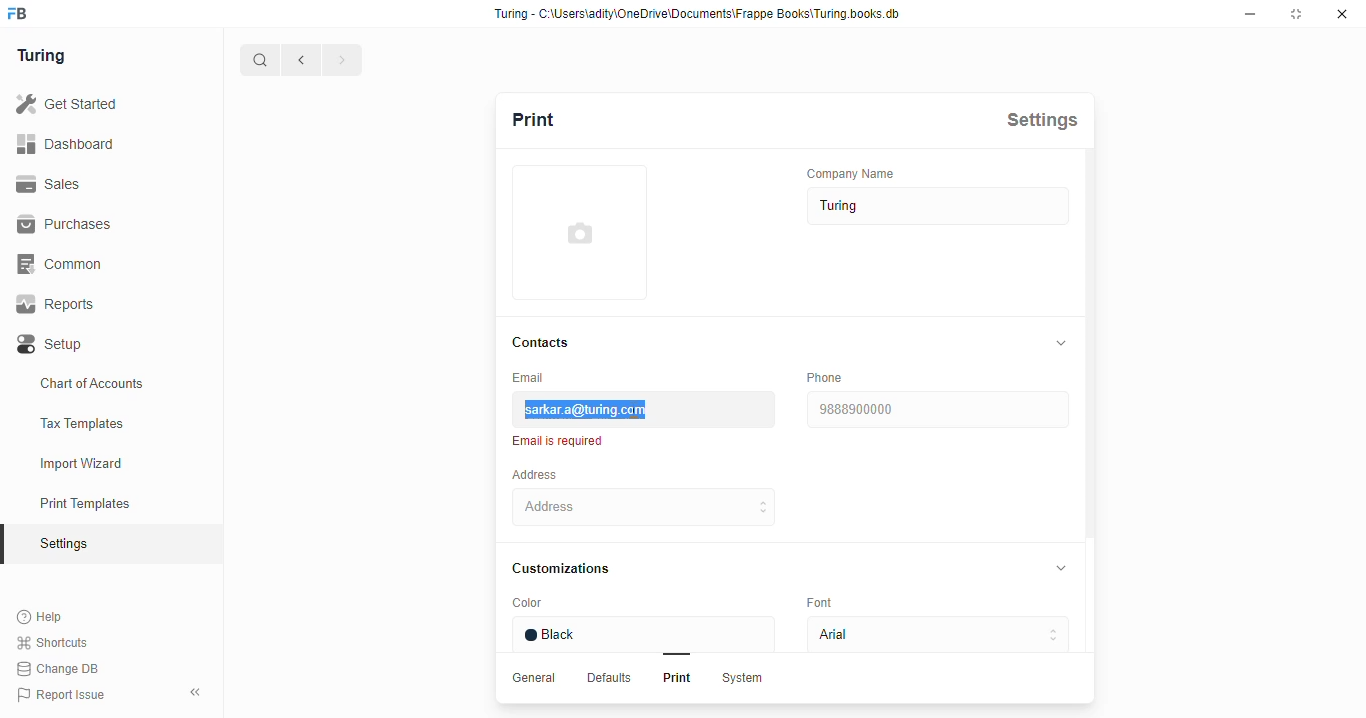 The width and height of the screenshot is (1366, 718). Describe the element at coordinates (1299, 15) in the screenshot. I see `maximise` at that location.